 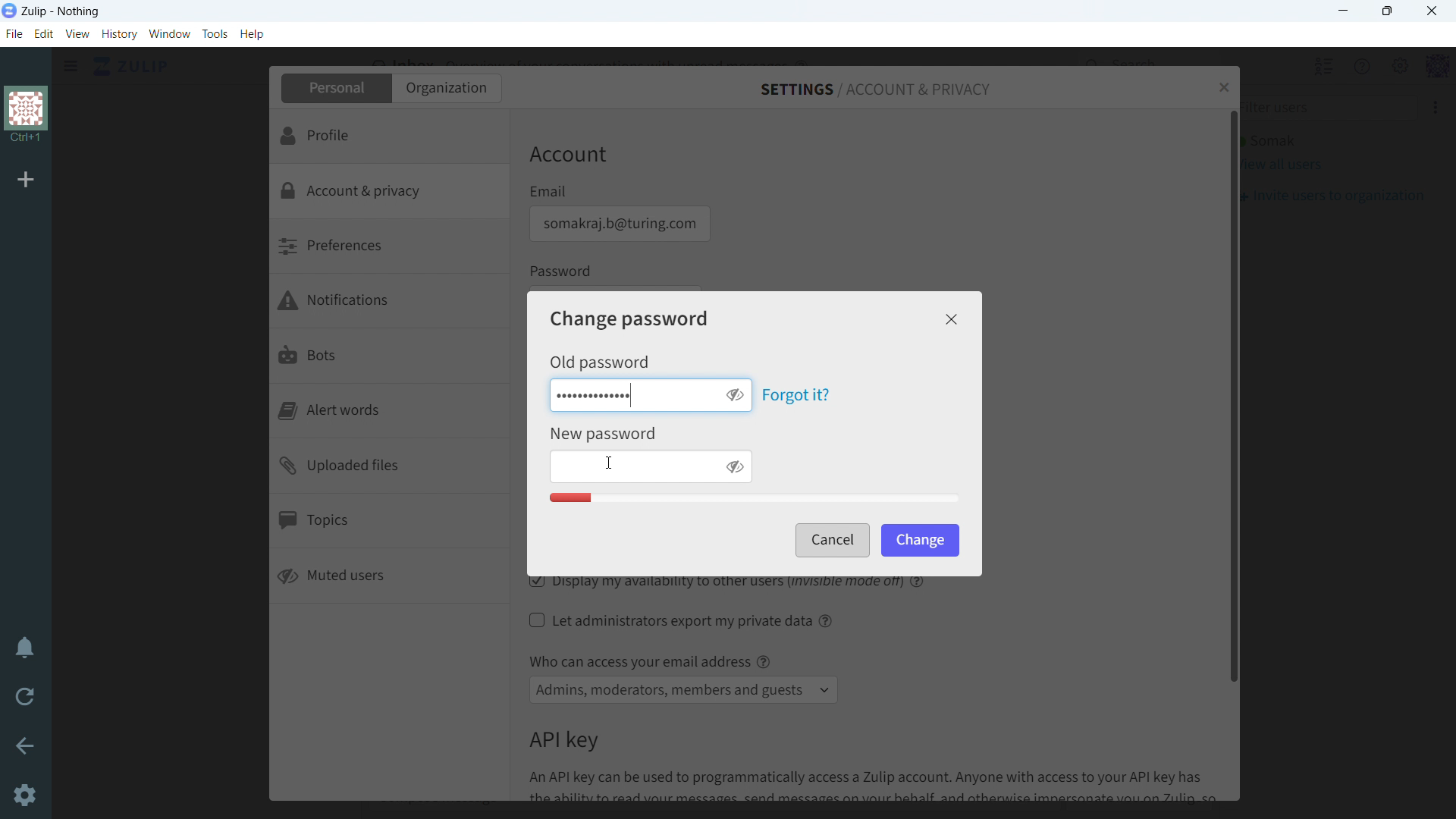 I want to click on change, so click(x=919, y=538).